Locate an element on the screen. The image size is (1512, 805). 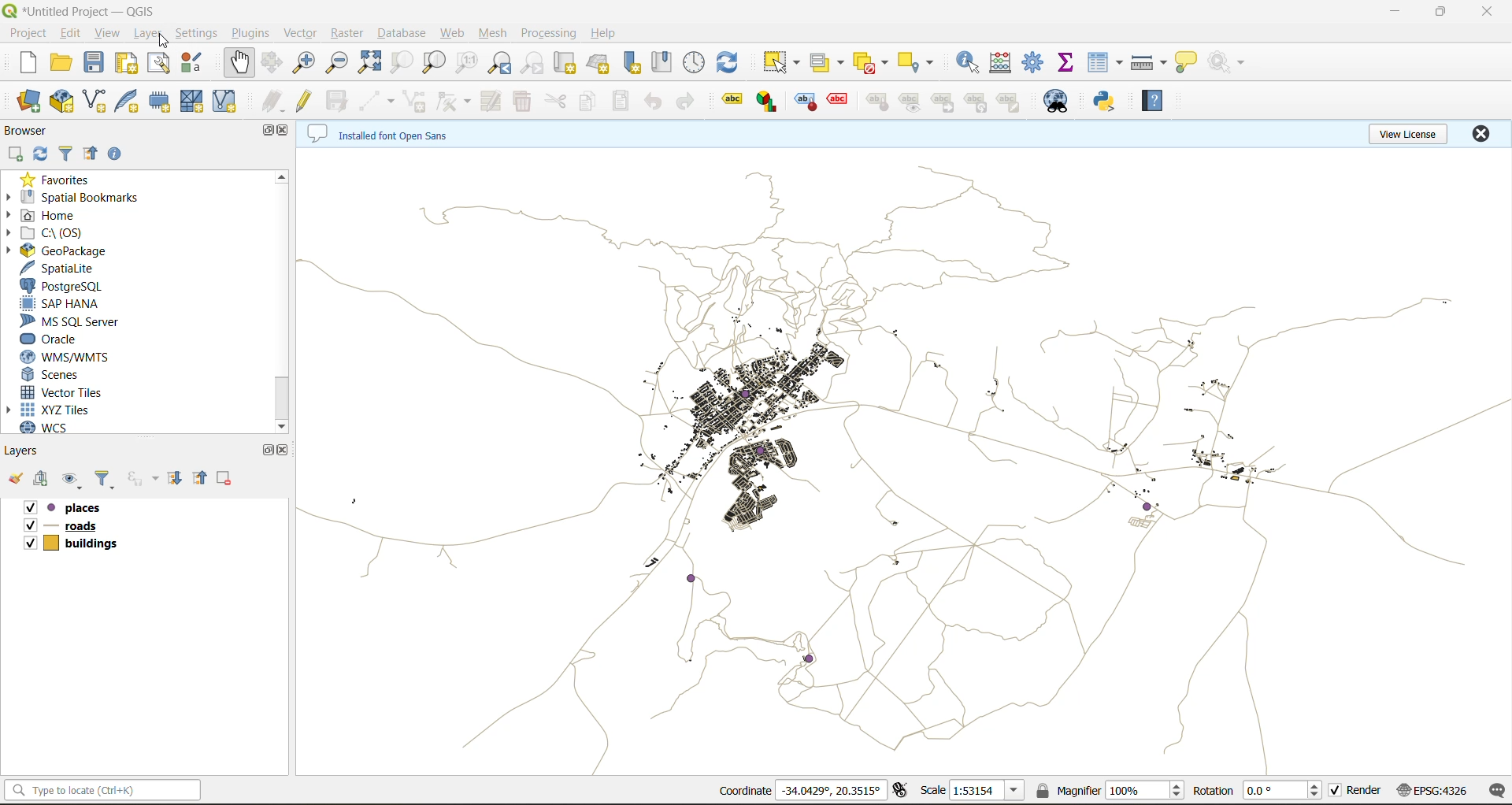
show layout is located at coordinates (161, 63).